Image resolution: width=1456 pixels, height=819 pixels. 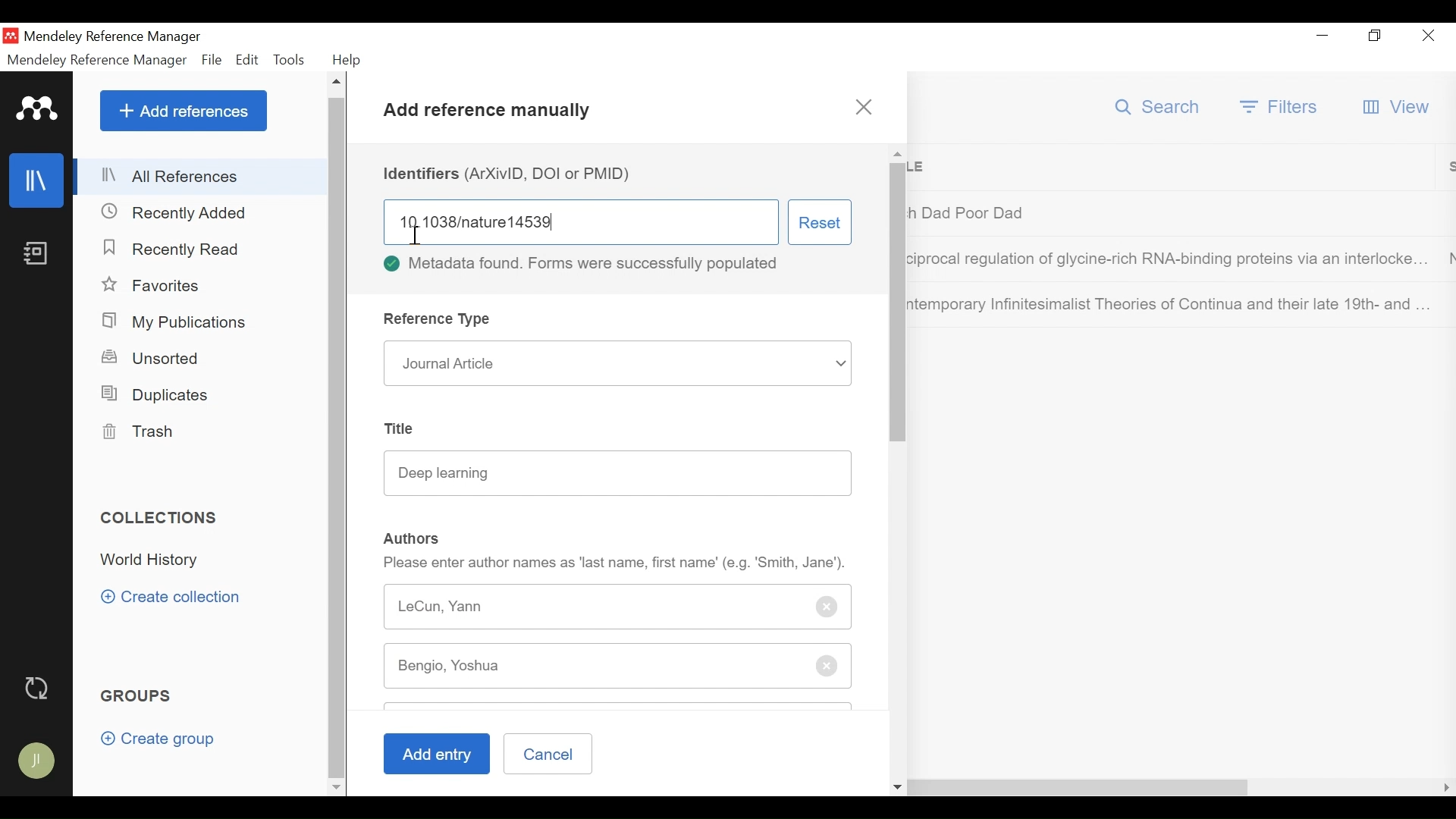 What do you see at coordinates (1398, 108) in the screenshot?
I see `View` at bounding box center [1398, 108].